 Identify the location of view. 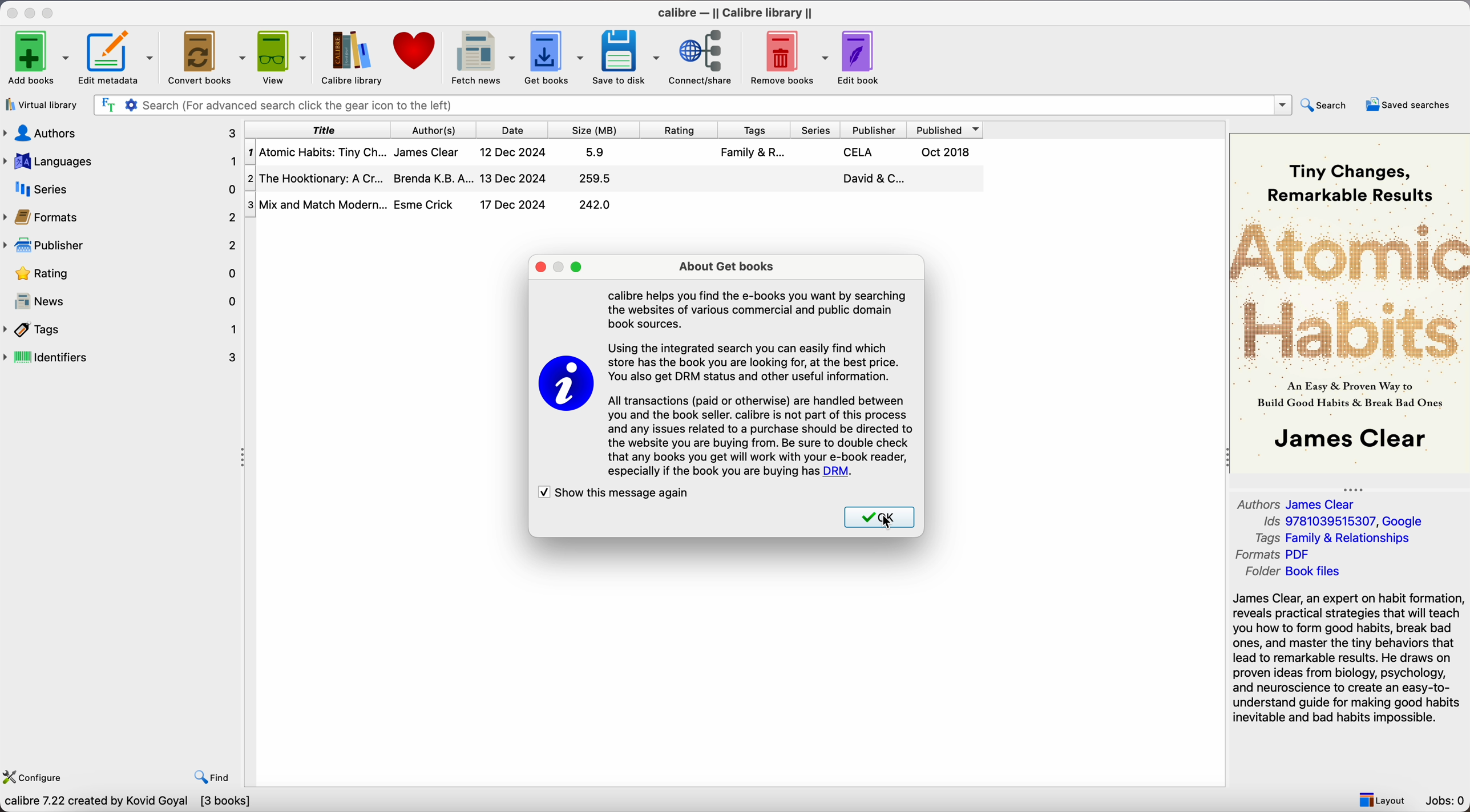
(281, 57).